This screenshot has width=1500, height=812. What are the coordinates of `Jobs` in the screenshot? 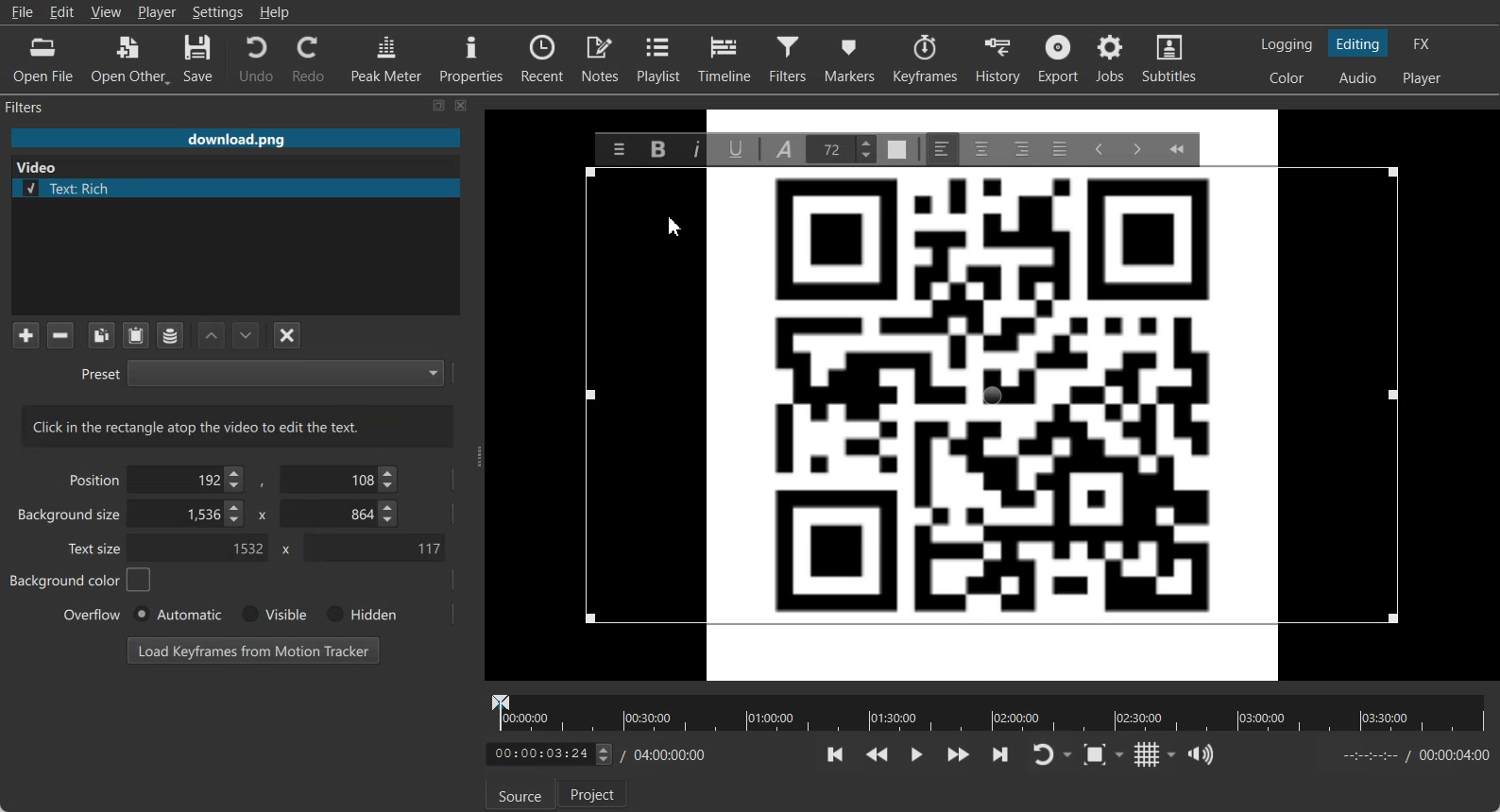 It's located at (1112, 59).